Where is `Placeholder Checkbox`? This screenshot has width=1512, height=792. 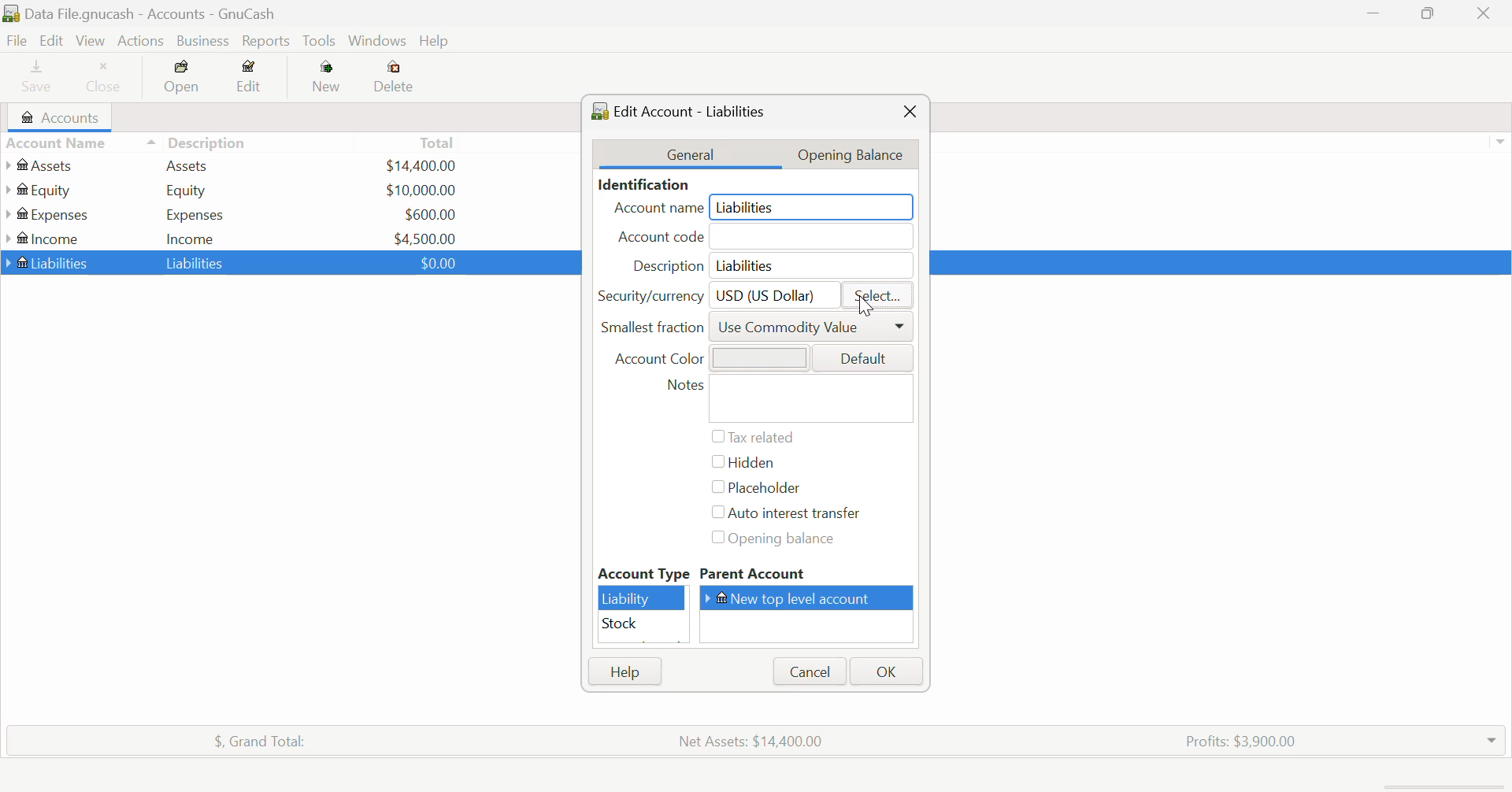 Placeholder Checkbox is located at coordinates (753, 489).